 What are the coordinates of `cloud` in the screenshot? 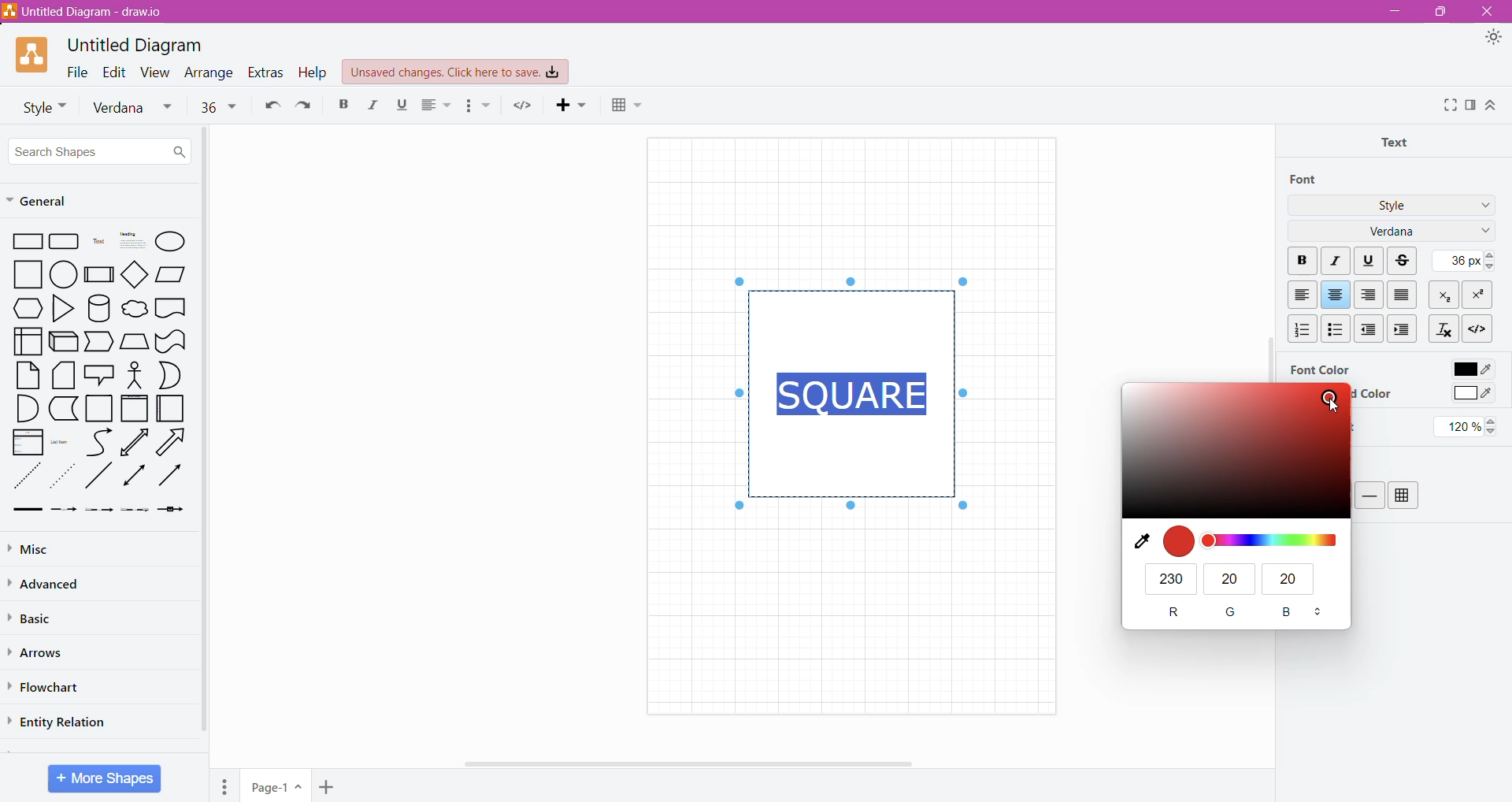 It's located at (134, 310).